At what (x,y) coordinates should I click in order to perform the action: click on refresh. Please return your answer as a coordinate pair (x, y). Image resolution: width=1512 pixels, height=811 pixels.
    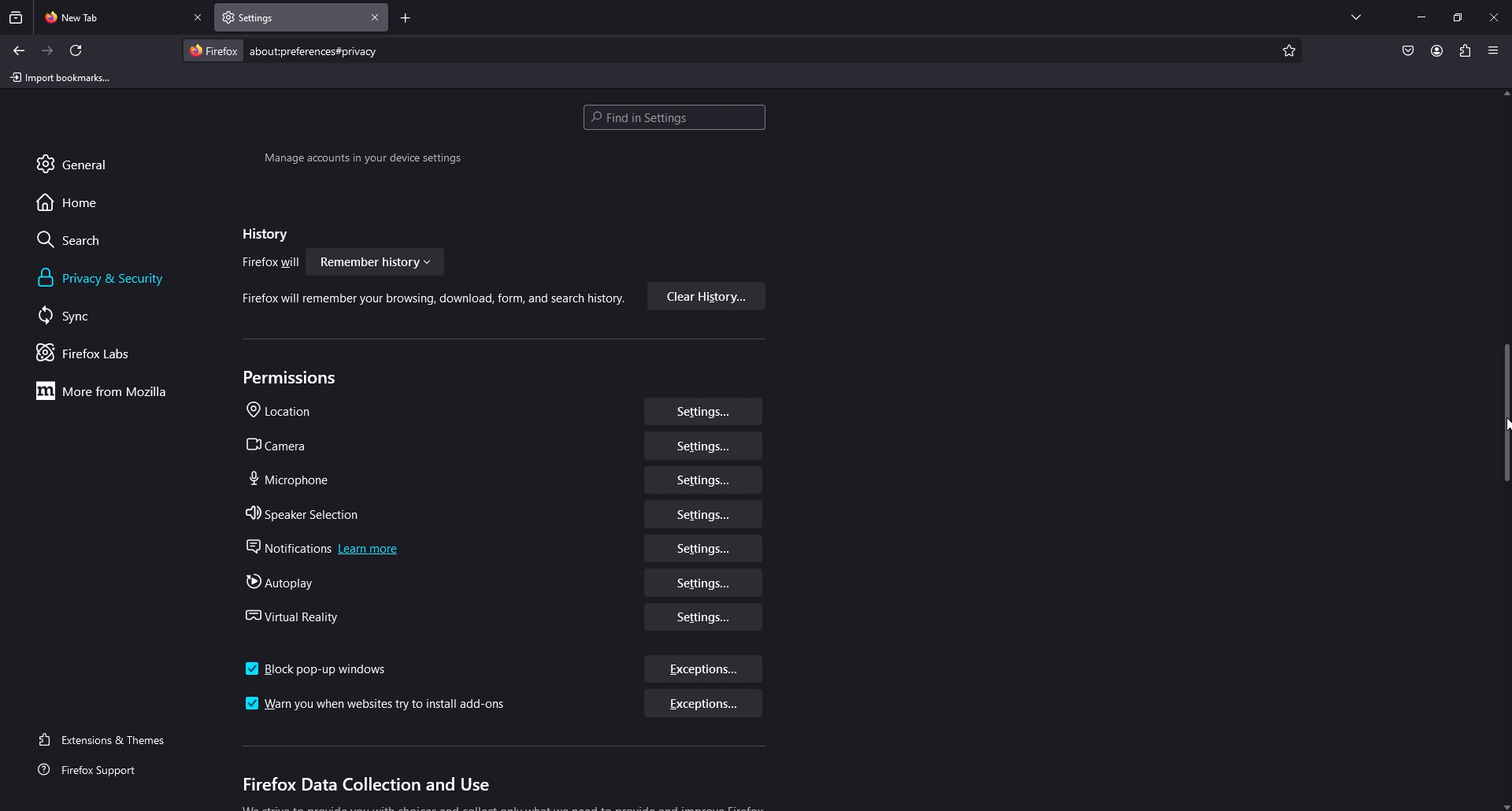
    Looking at the image, I should click on (76, 50).